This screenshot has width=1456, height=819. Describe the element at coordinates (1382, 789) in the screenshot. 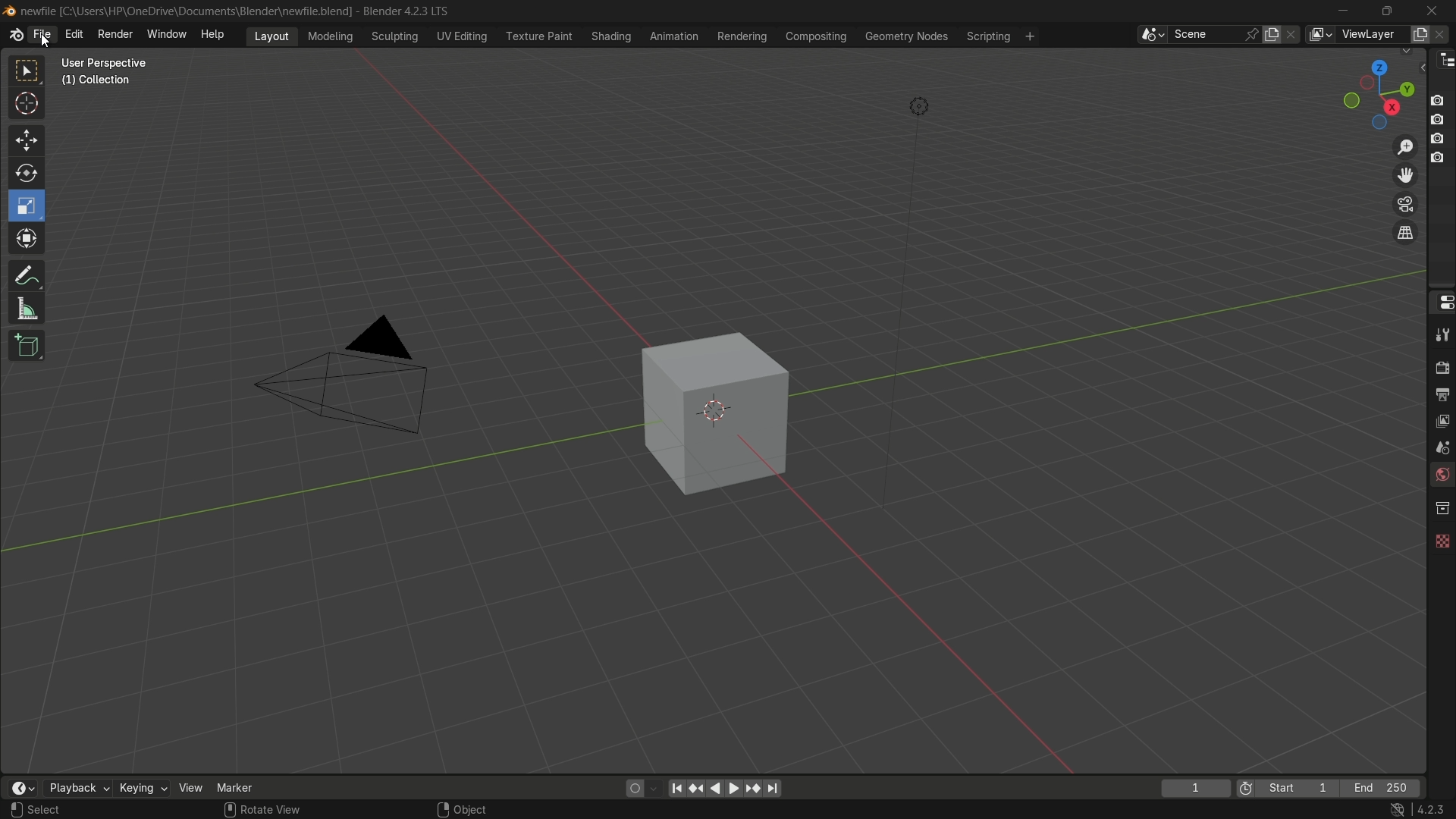

I see `final frame of the playback` at that location.